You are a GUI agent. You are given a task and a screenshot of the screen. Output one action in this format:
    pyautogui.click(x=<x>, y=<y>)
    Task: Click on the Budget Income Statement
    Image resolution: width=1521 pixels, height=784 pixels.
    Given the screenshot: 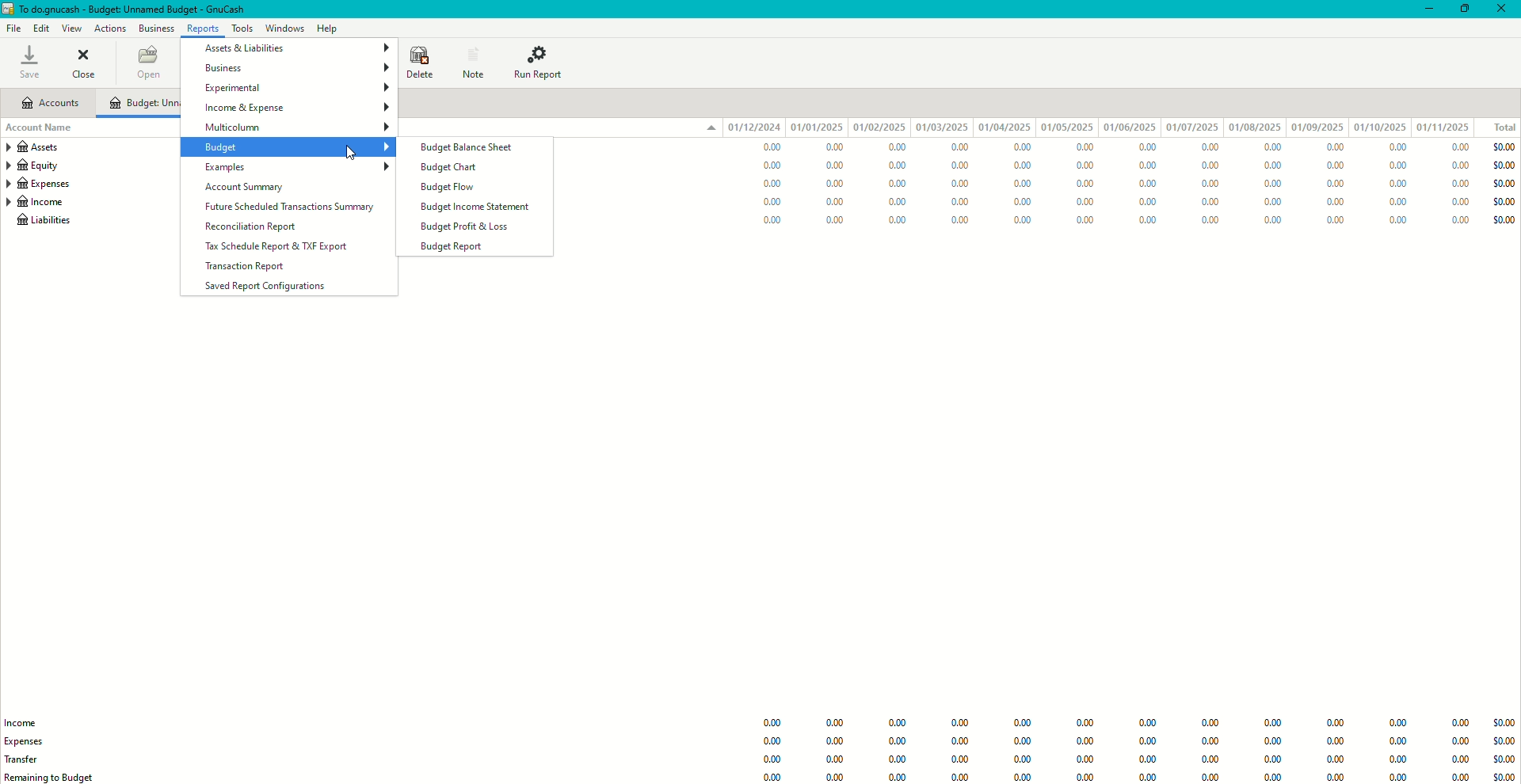 What is the action you would take?
    pyautogui.click(x=475, y=207)
    